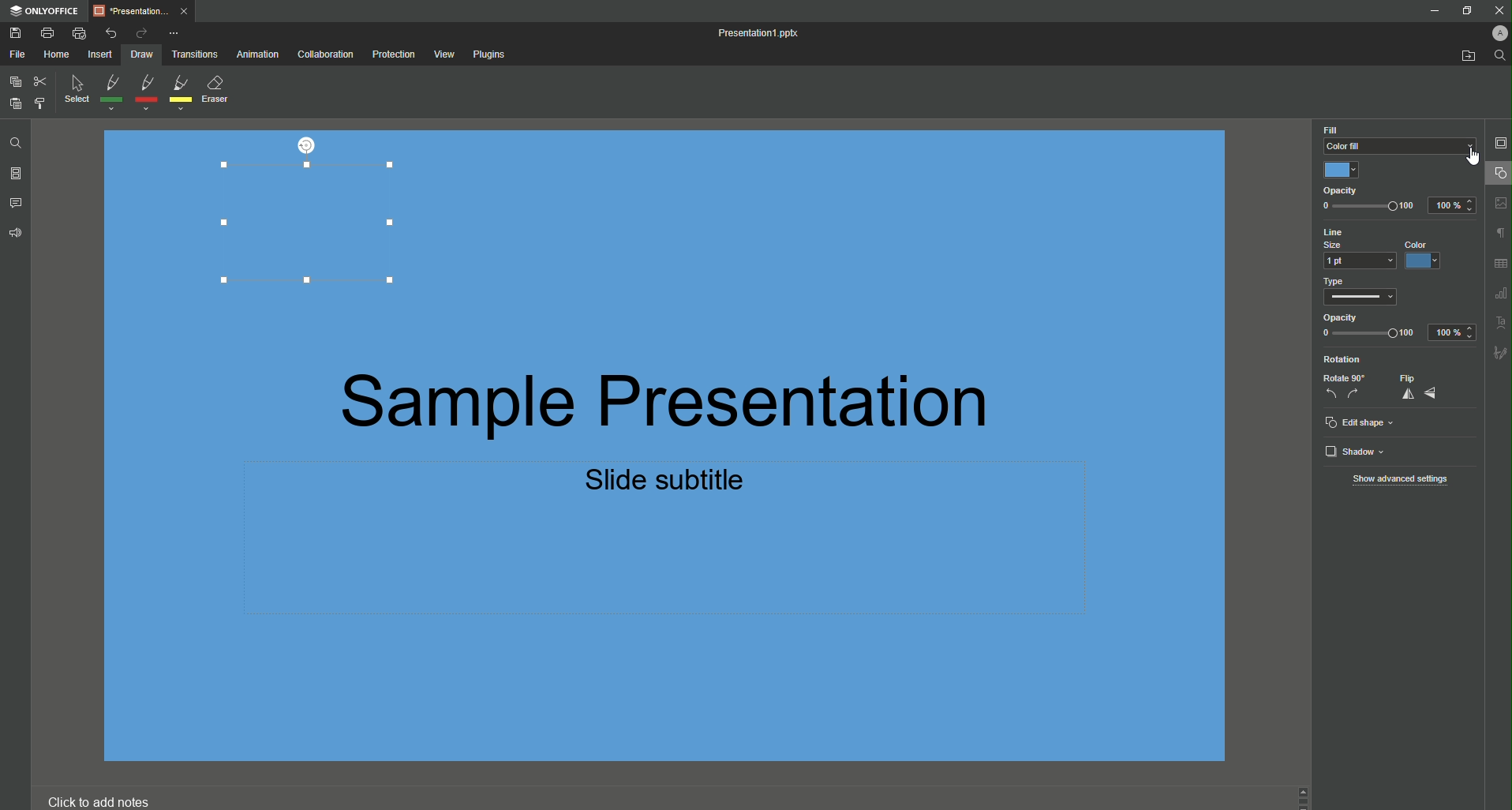 The height and width of the screenshot is (810, 1512). What do you see at coordinates (111, 31) in the screenshot?
I see `Undo` at bounding box center [111, 31].